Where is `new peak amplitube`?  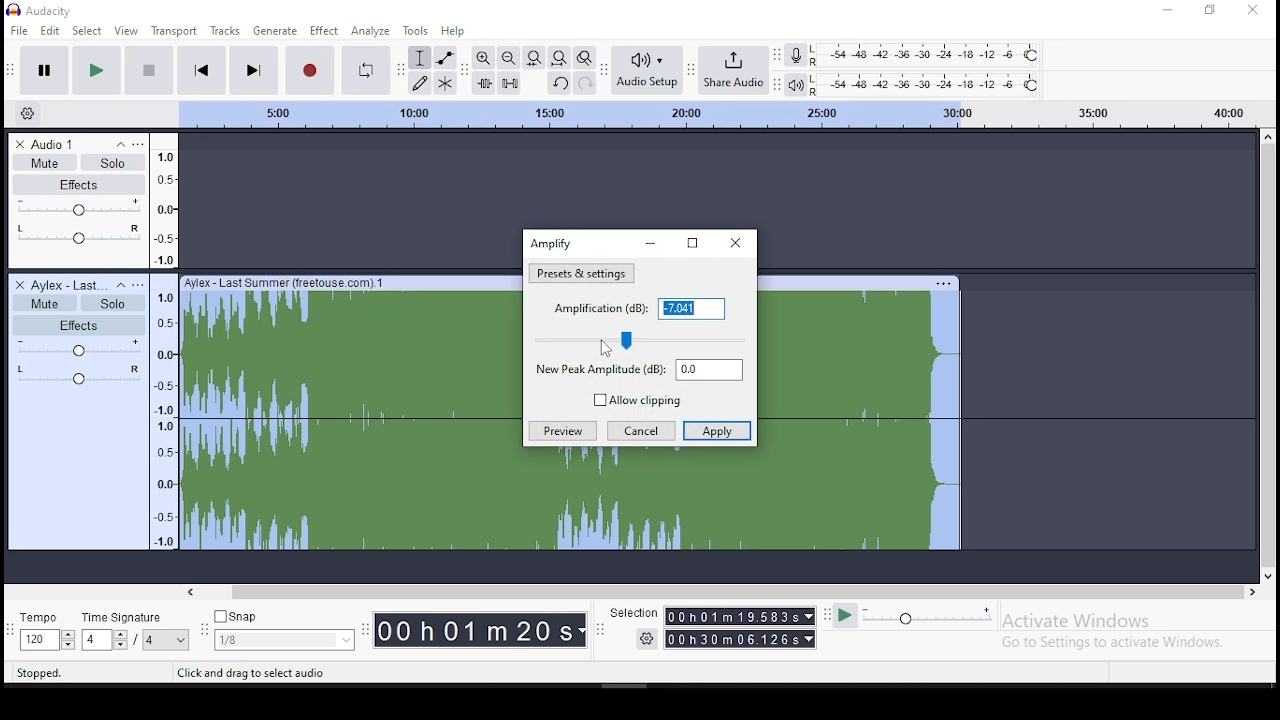
new peak amplitube is located at coordinates (639, 370).